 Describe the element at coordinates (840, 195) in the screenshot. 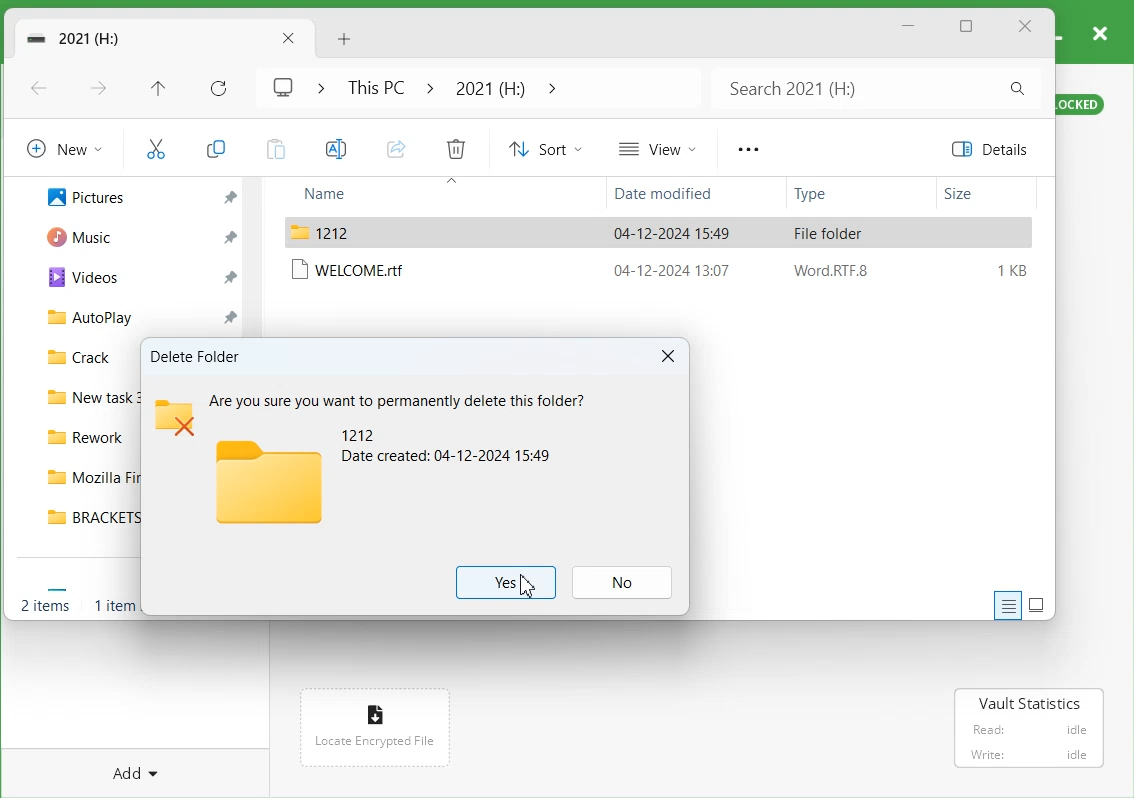

I see `Type` at that location.